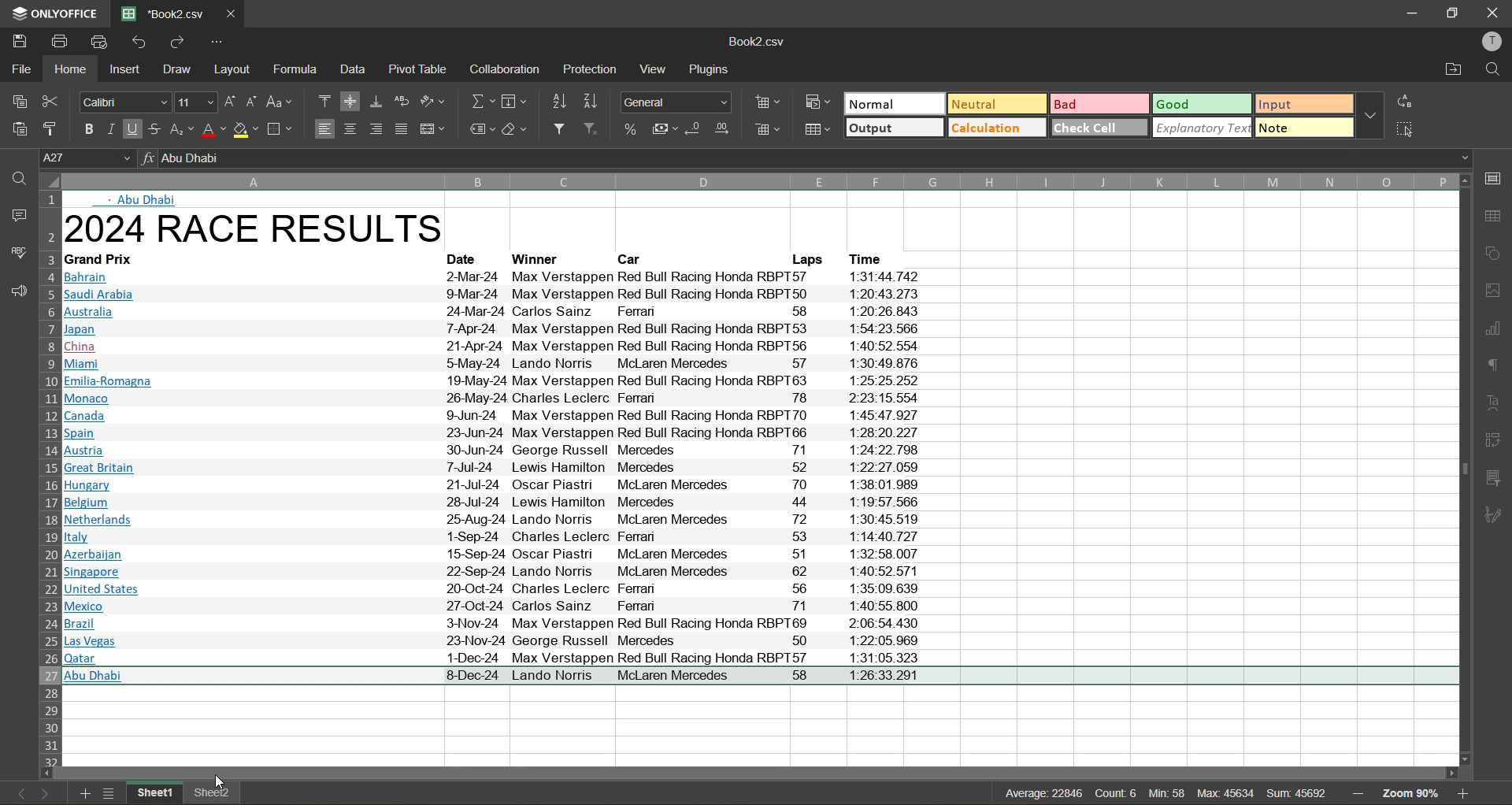  Describe the element at coordinates (180, 131) in the screenshot. I see `sub\superscript` at that location.